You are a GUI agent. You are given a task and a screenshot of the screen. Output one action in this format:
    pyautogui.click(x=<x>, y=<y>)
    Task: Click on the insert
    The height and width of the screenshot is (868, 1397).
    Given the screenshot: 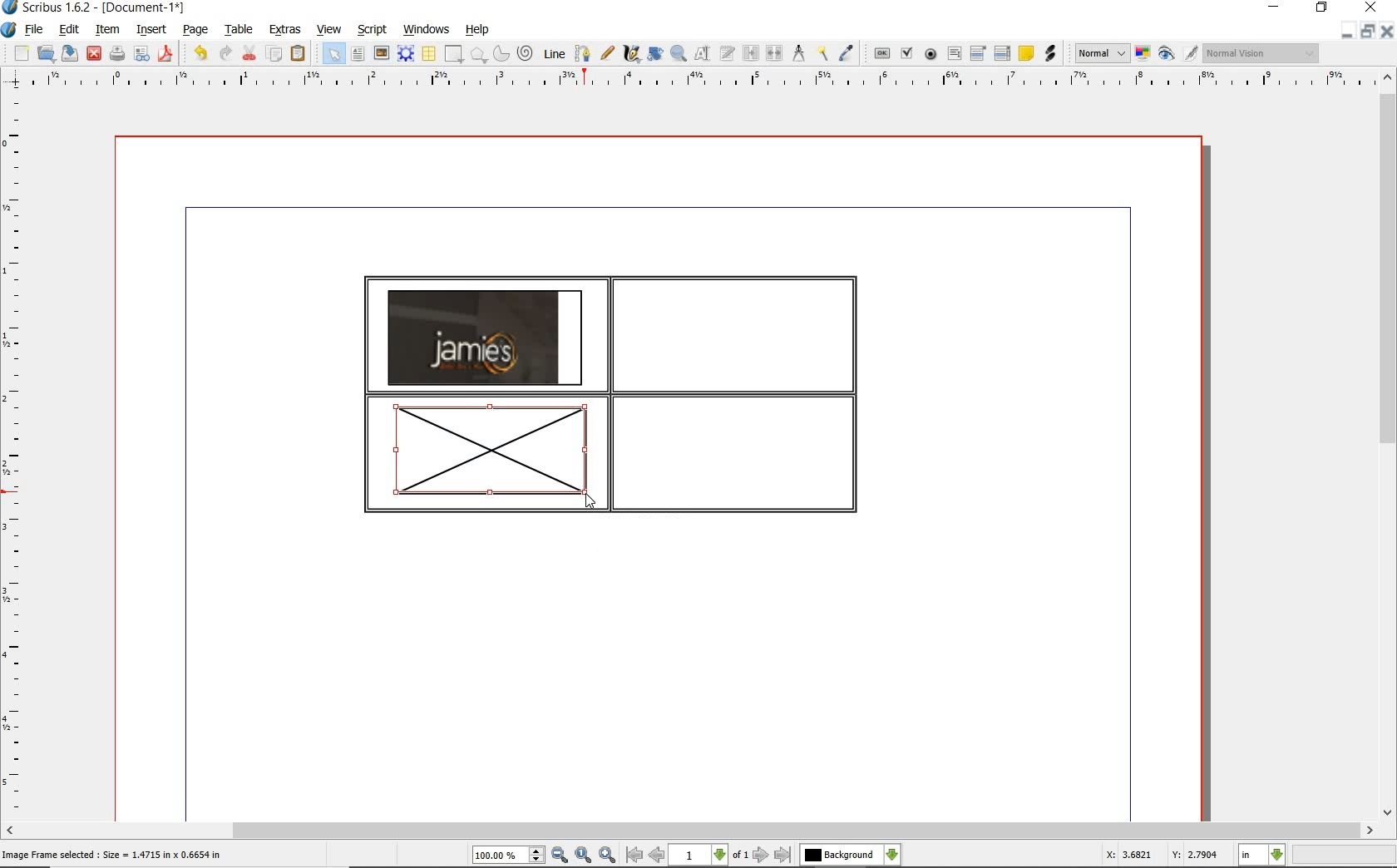 What is the action you would take?
    pyautogui.click(x=150, y=31)
    